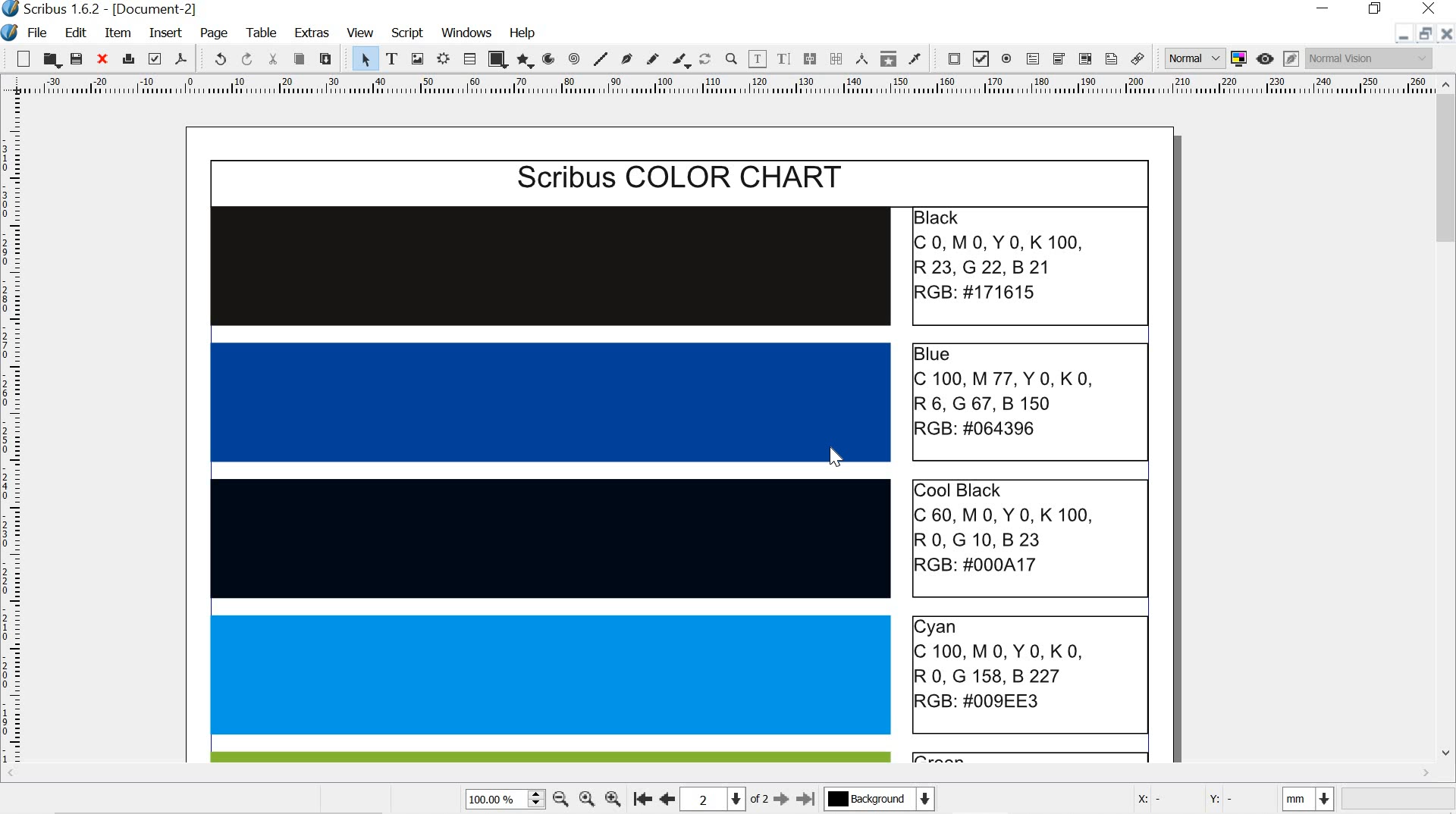 The image size is (1456, 814). I want to click on undo, so click(215, 59).